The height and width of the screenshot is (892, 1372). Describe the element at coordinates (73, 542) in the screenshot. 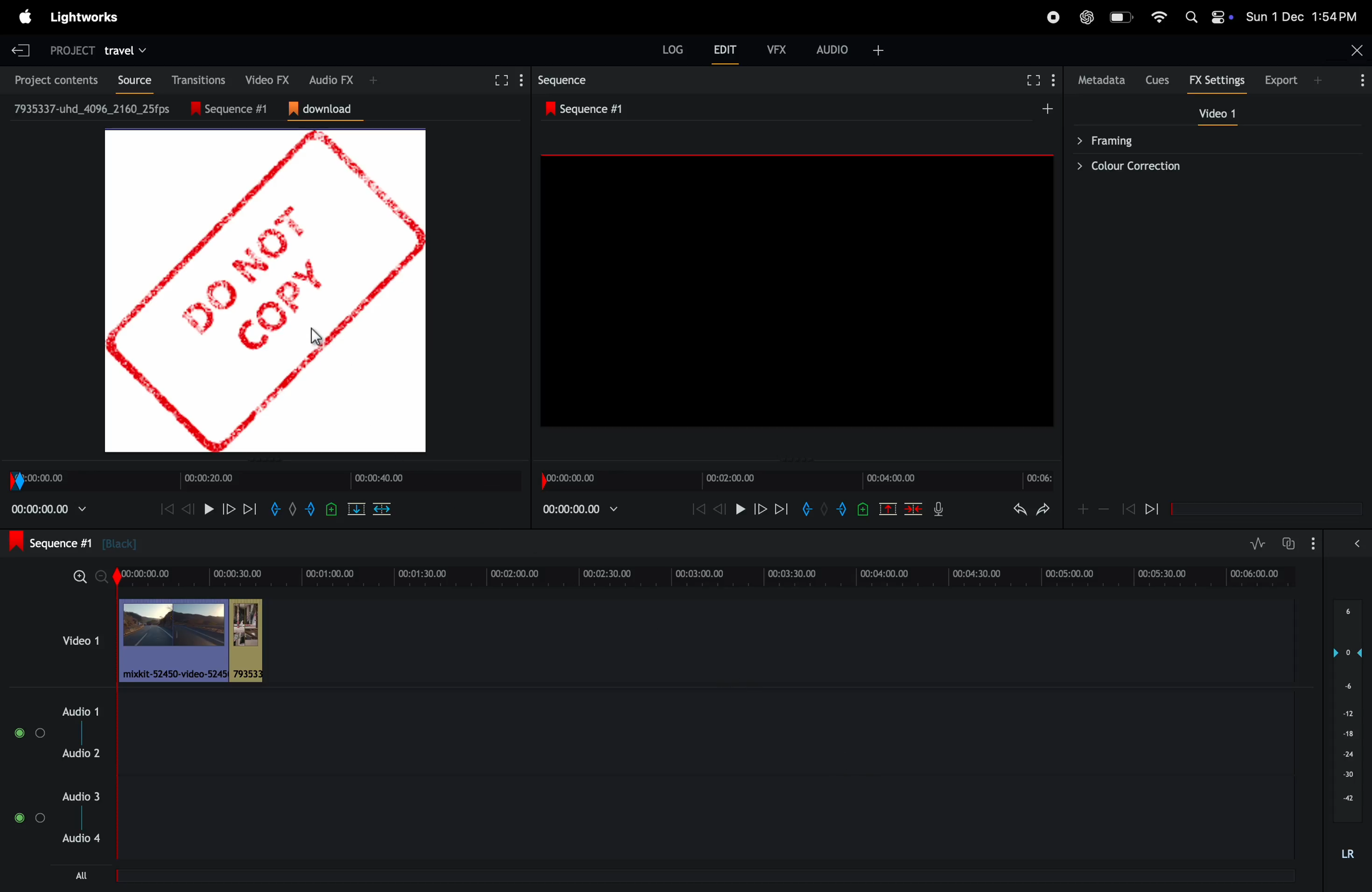

I see `sequence #1` at that location.